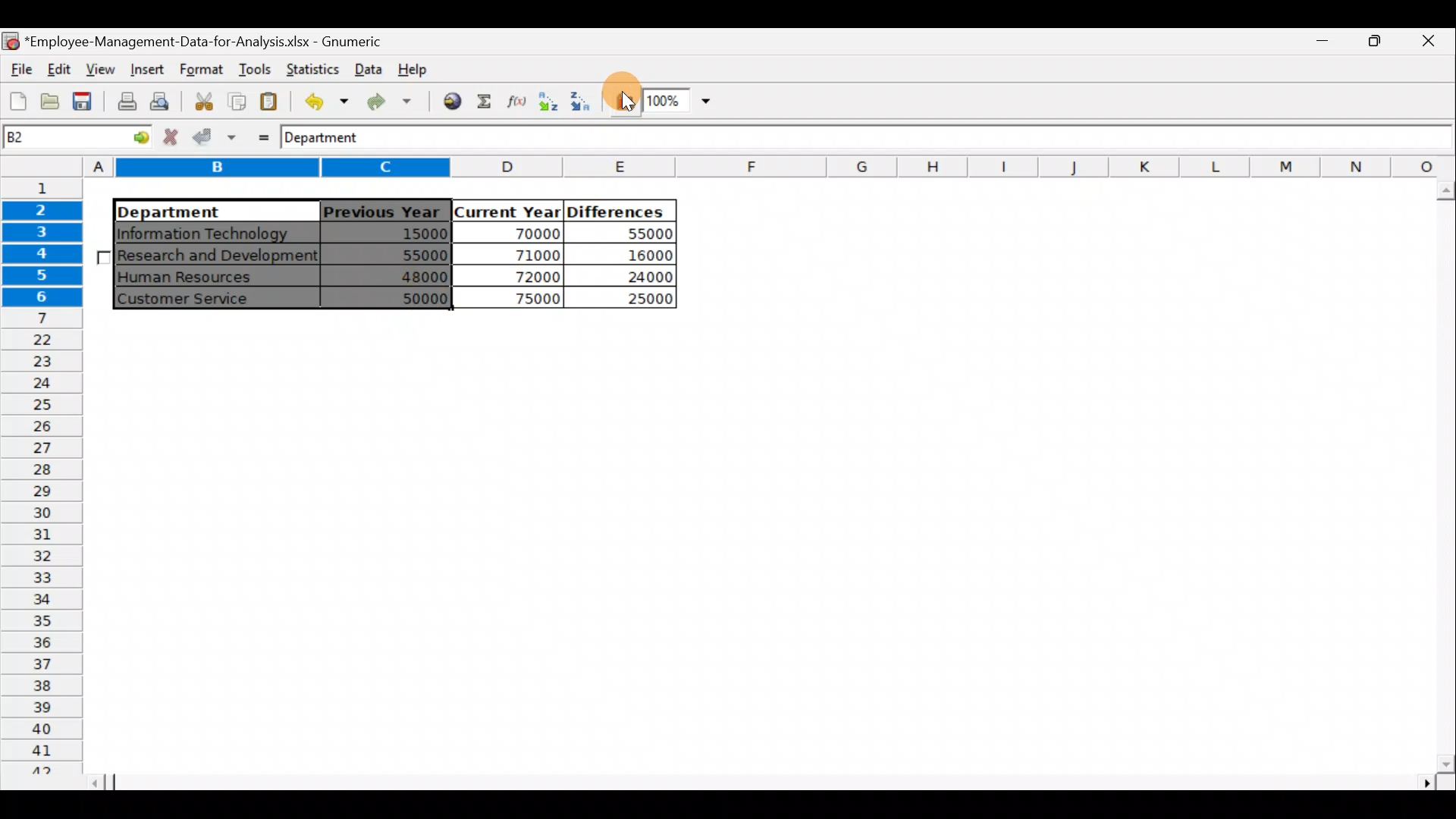  I want to click on 25000, so click(632, 300).